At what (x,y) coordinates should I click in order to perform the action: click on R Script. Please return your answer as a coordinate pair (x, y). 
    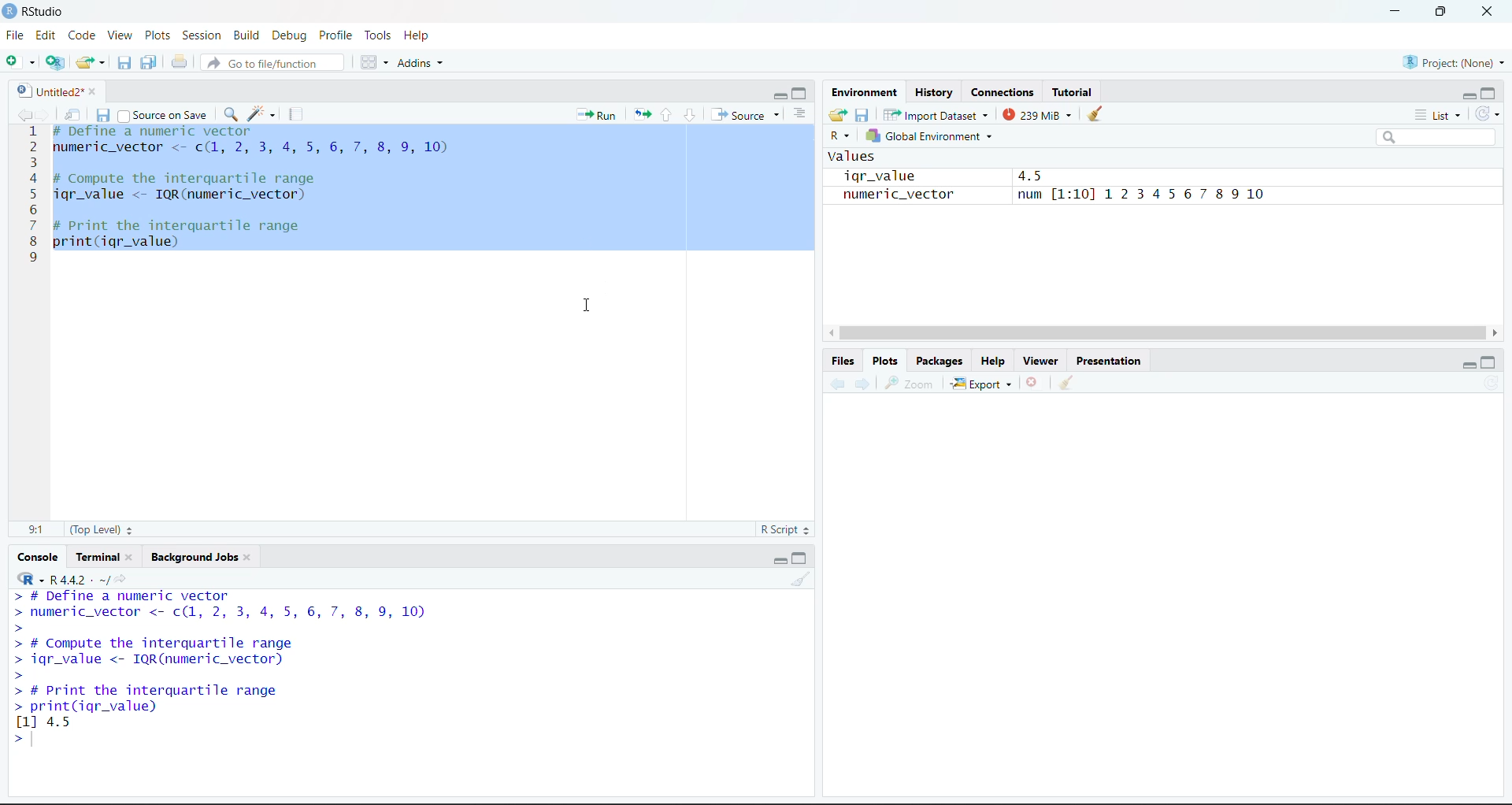
    Looking at the image, I should click on (785, 530).